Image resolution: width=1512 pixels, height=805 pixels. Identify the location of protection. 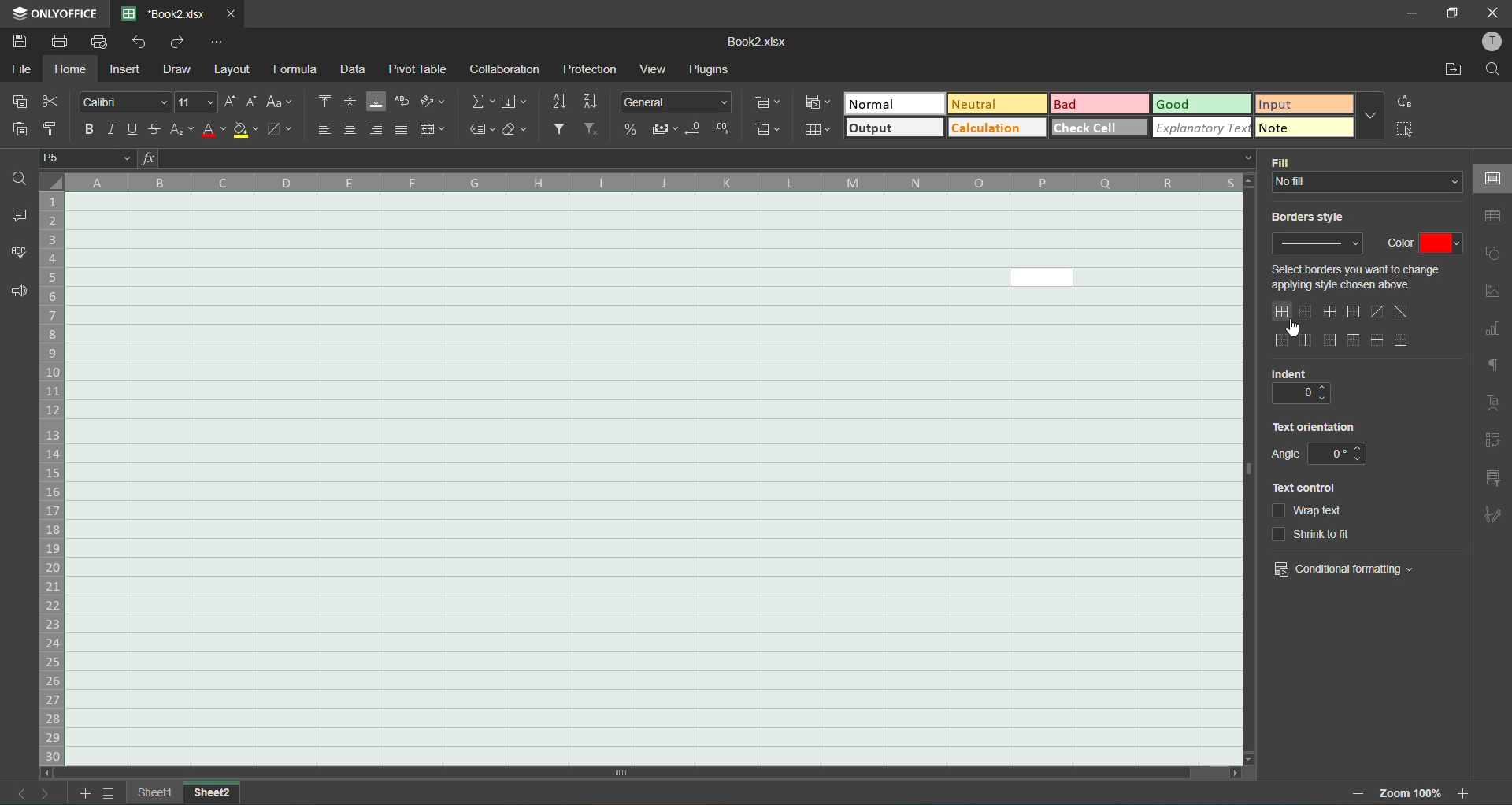
(591, 72).